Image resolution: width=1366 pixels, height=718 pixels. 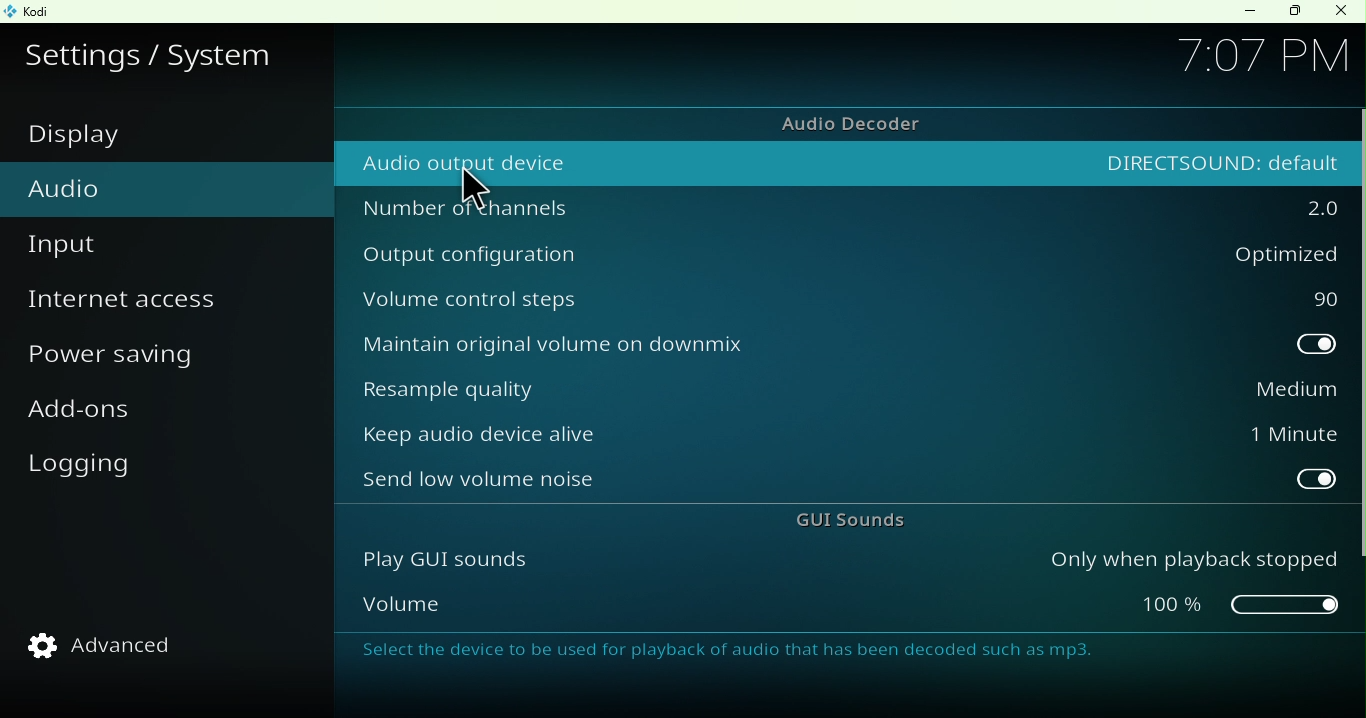 I want to click on Close, so click(x=1340, y=15).